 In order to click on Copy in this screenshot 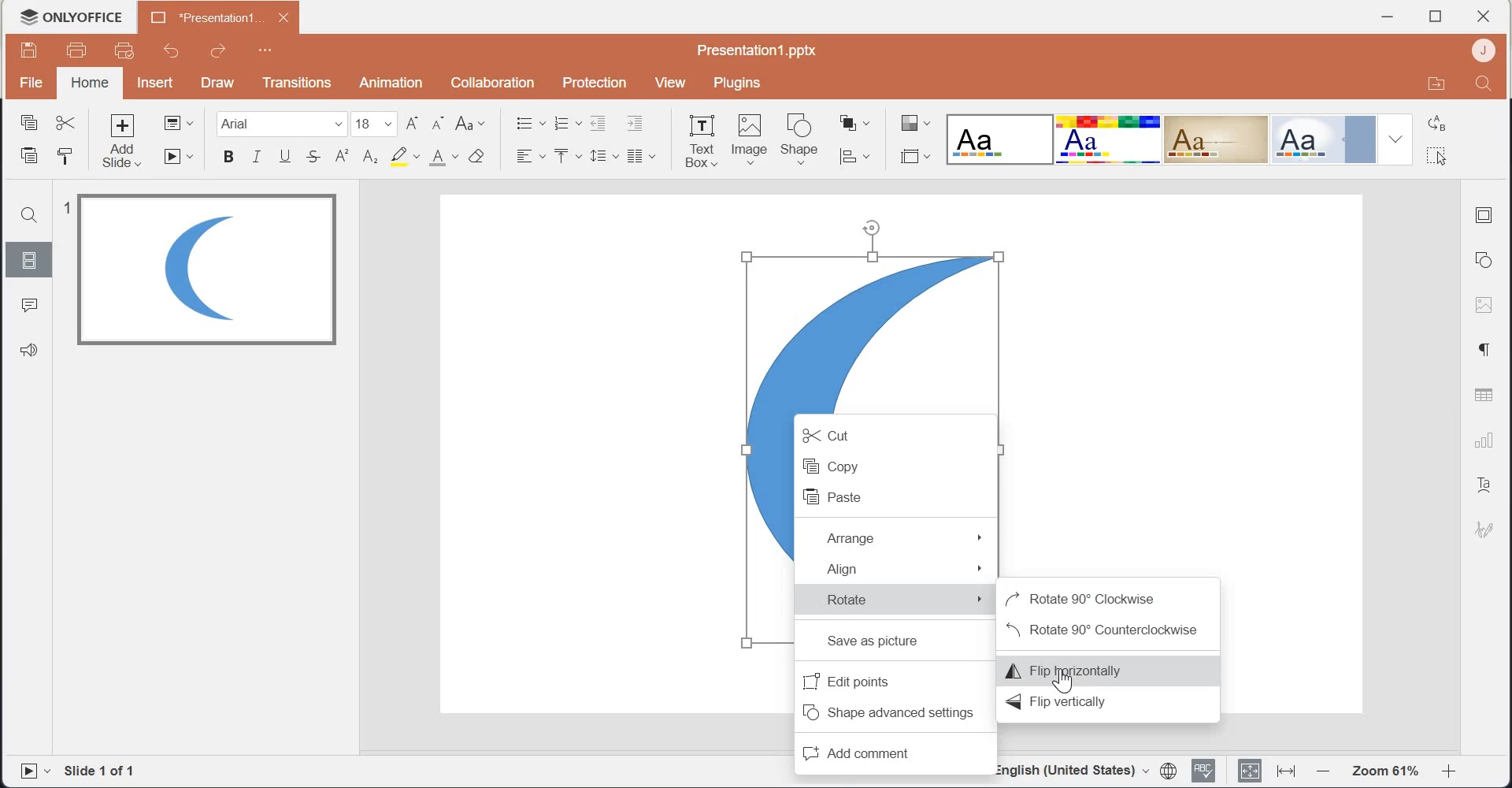, I will do `click(29, 122)`.